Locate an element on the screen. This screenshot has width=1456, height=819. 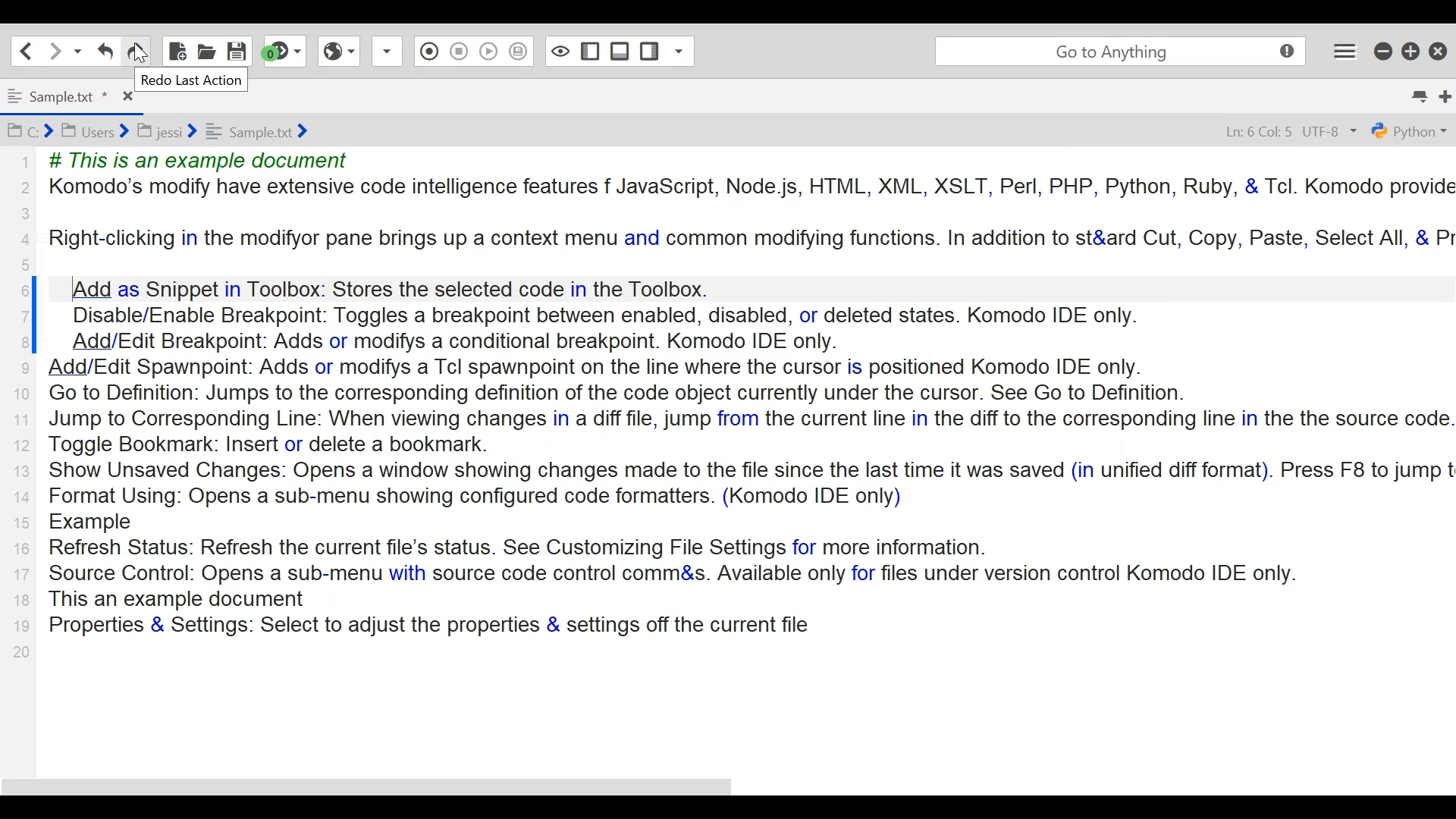
Sample File is located at coordinates (256, 131).